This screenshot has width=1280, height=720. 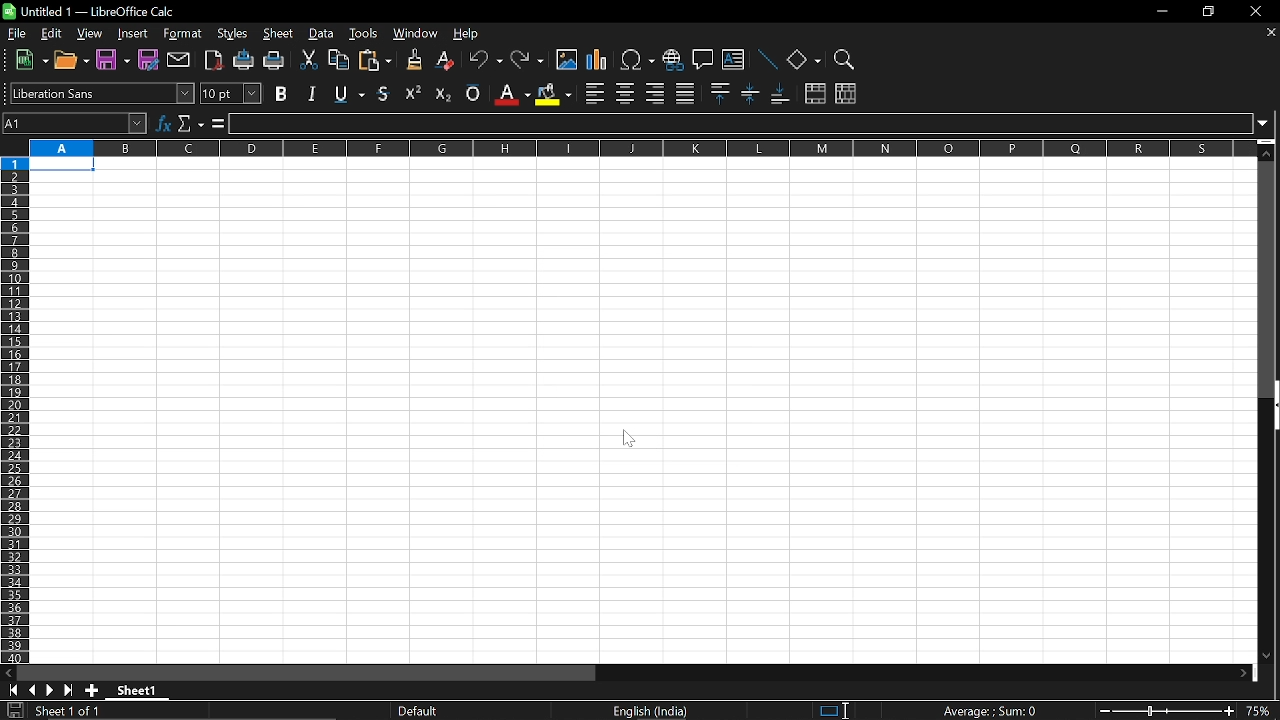 What do you see at coordinates (182, 35) in the screenshot?
I see `format` at bounding box center [182, 35].